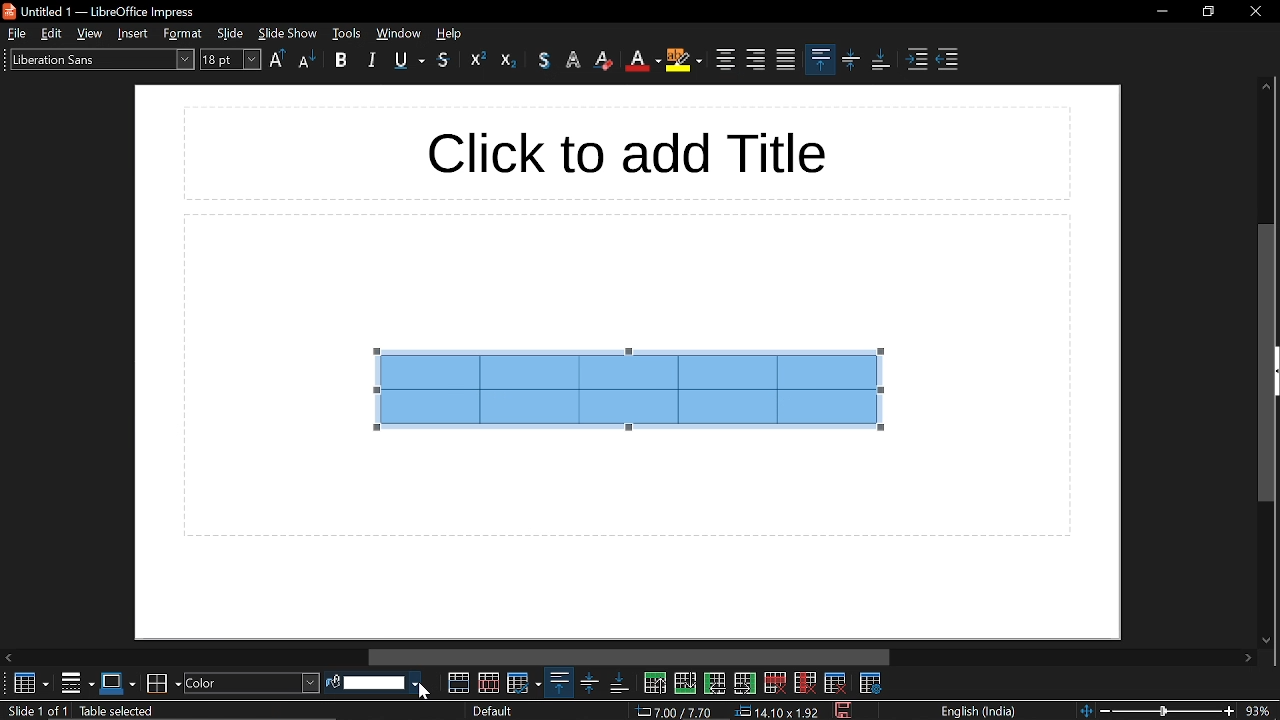 This screenshot has height=720, width=1280. What do you see at coordinates (289, 33) in the screenshot?
I see `slide show` at bounding box center [289, 33].